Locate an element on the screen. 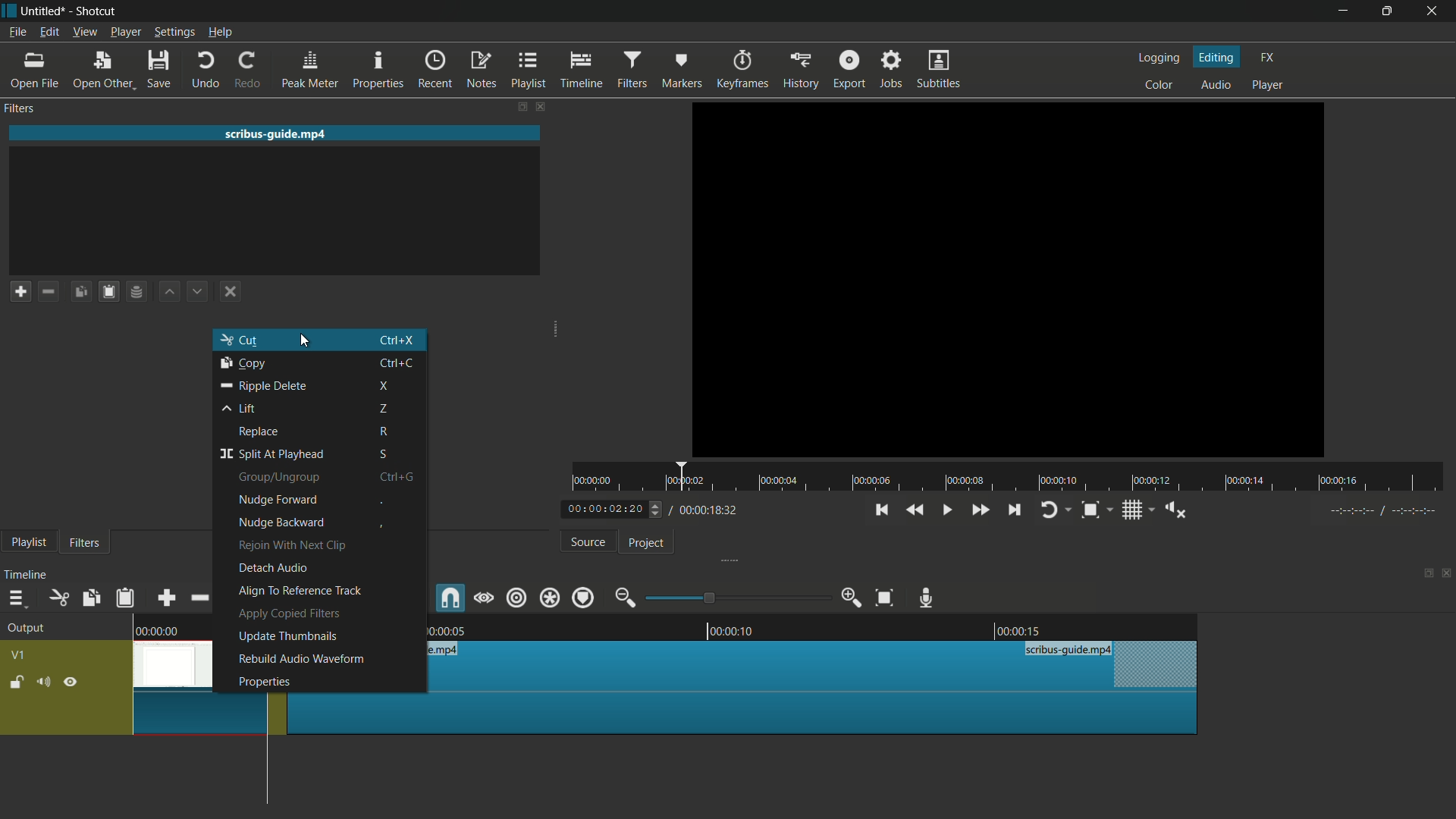 The image size is (1456, 819). lift is located at coordinates (235, 408).